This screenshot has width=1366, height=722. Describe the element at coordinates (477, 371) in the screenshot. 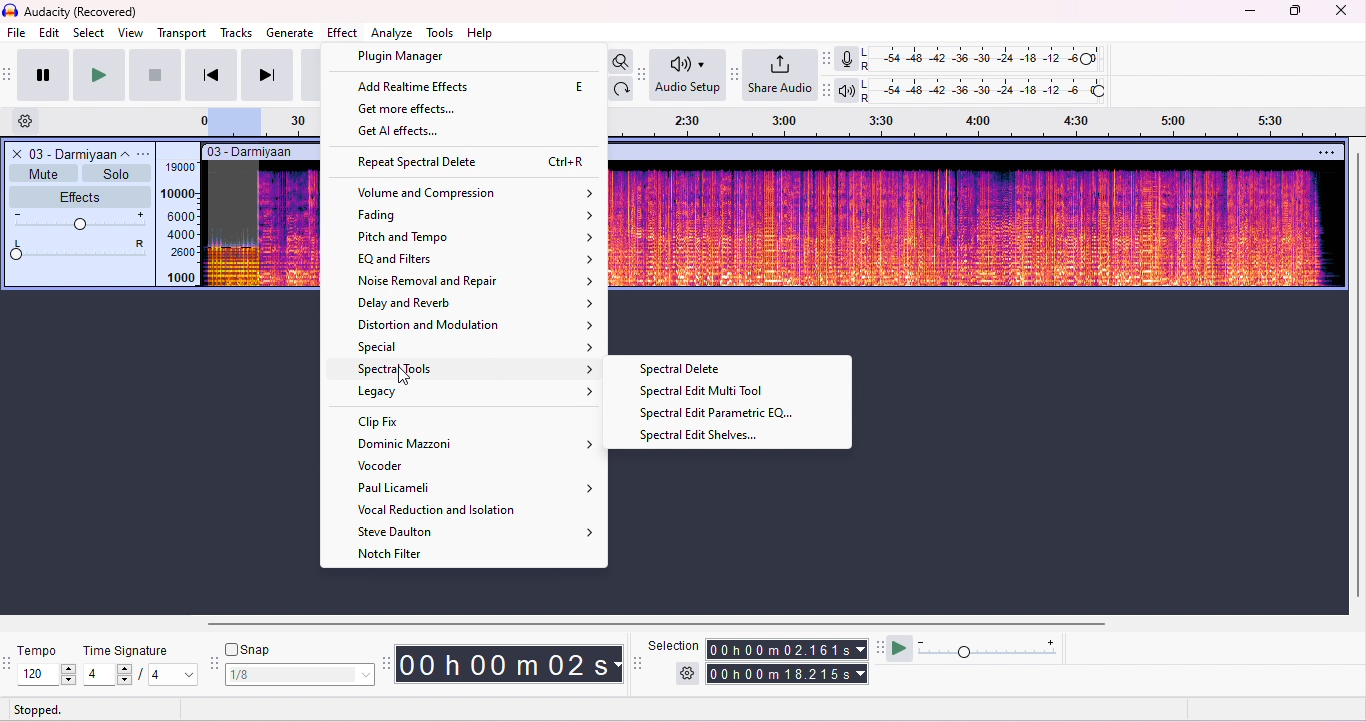

I see `spectral tools` at that location.